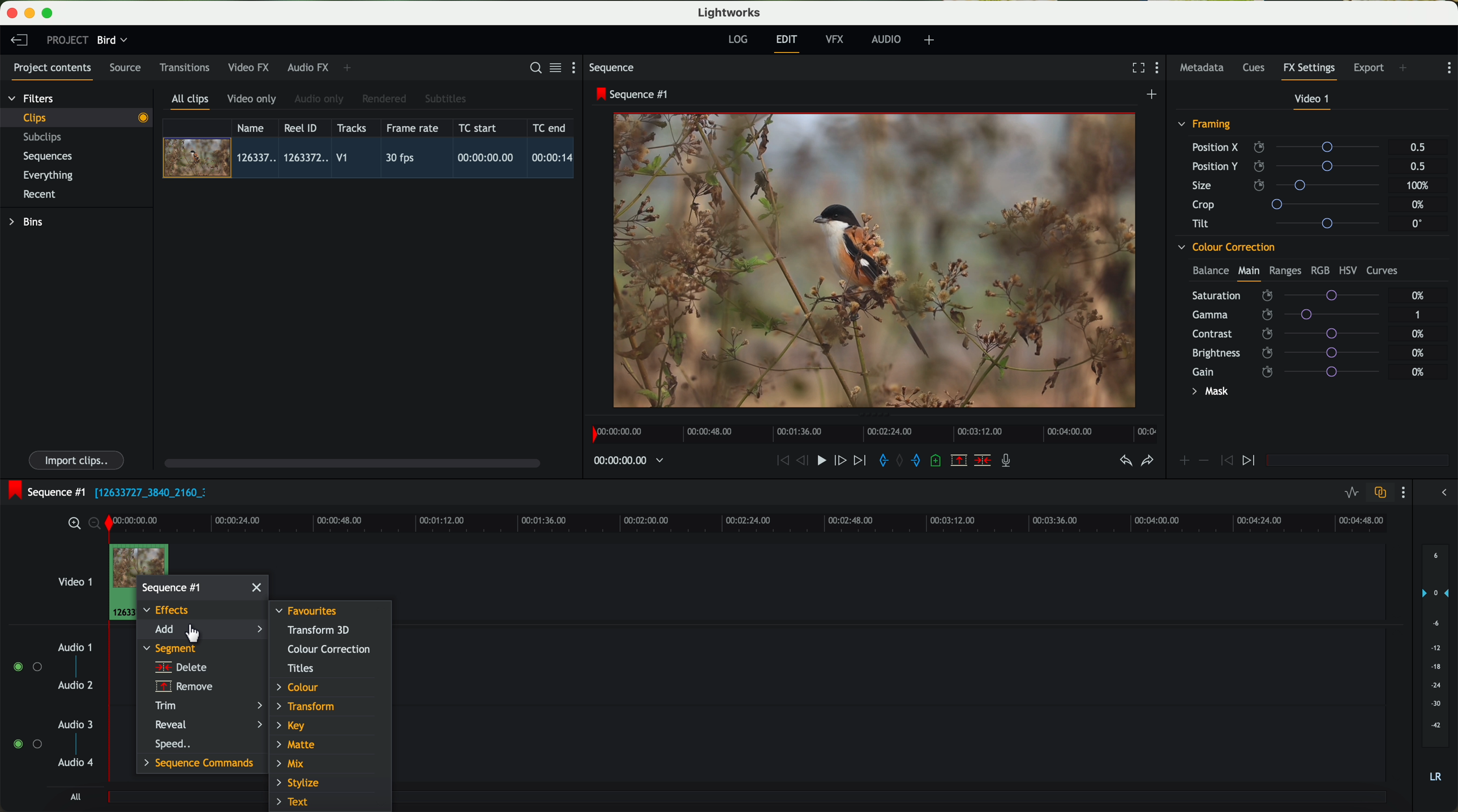 Image resolution: width=1458 pixels, height=812 pixels. I want to click on create a new sequence, so click(1153, 95).